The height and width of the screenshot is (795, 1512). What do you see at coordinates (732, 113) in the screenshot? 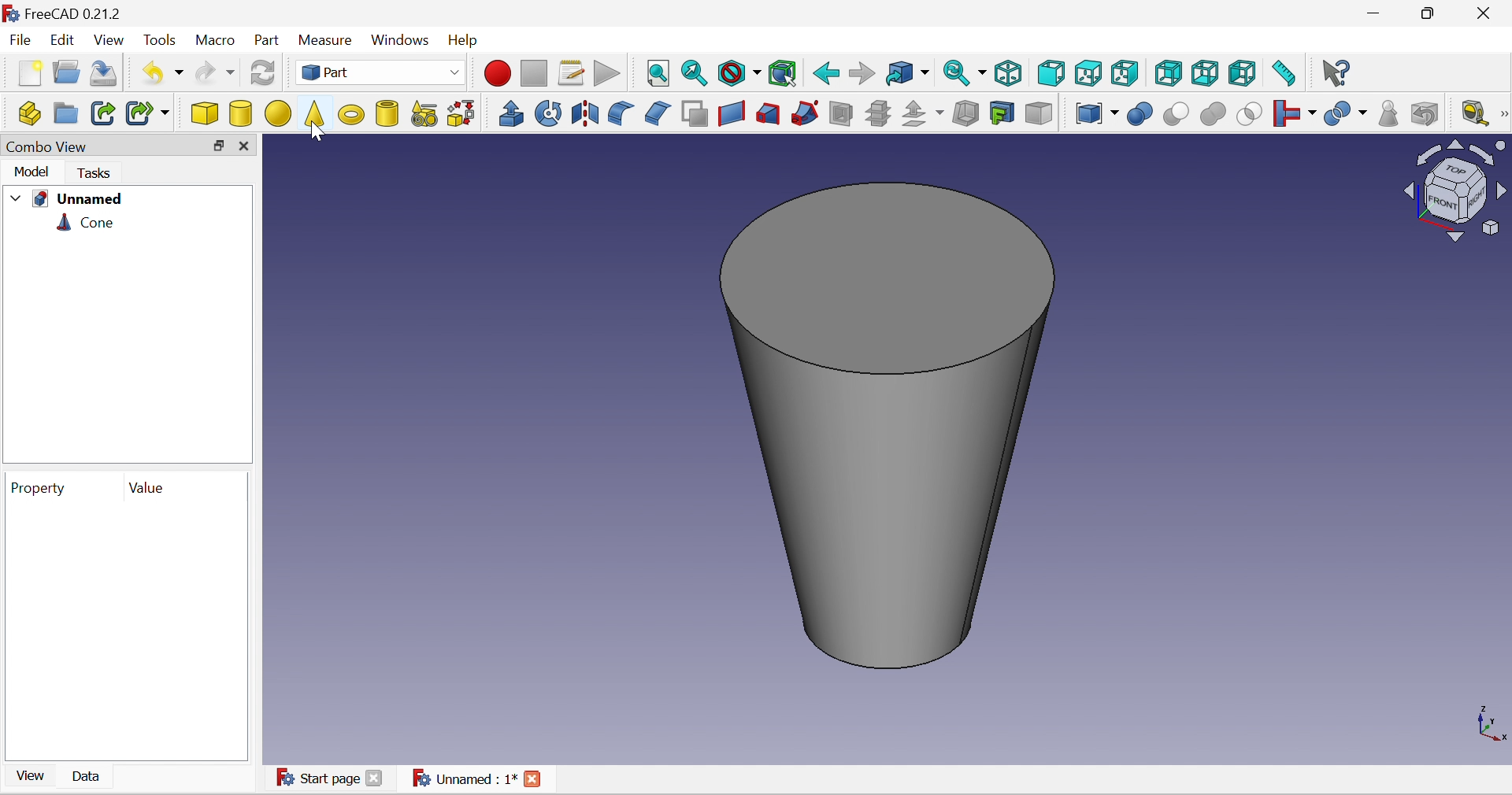
I see `Create ruled surface` at bounding box center [732, 113].